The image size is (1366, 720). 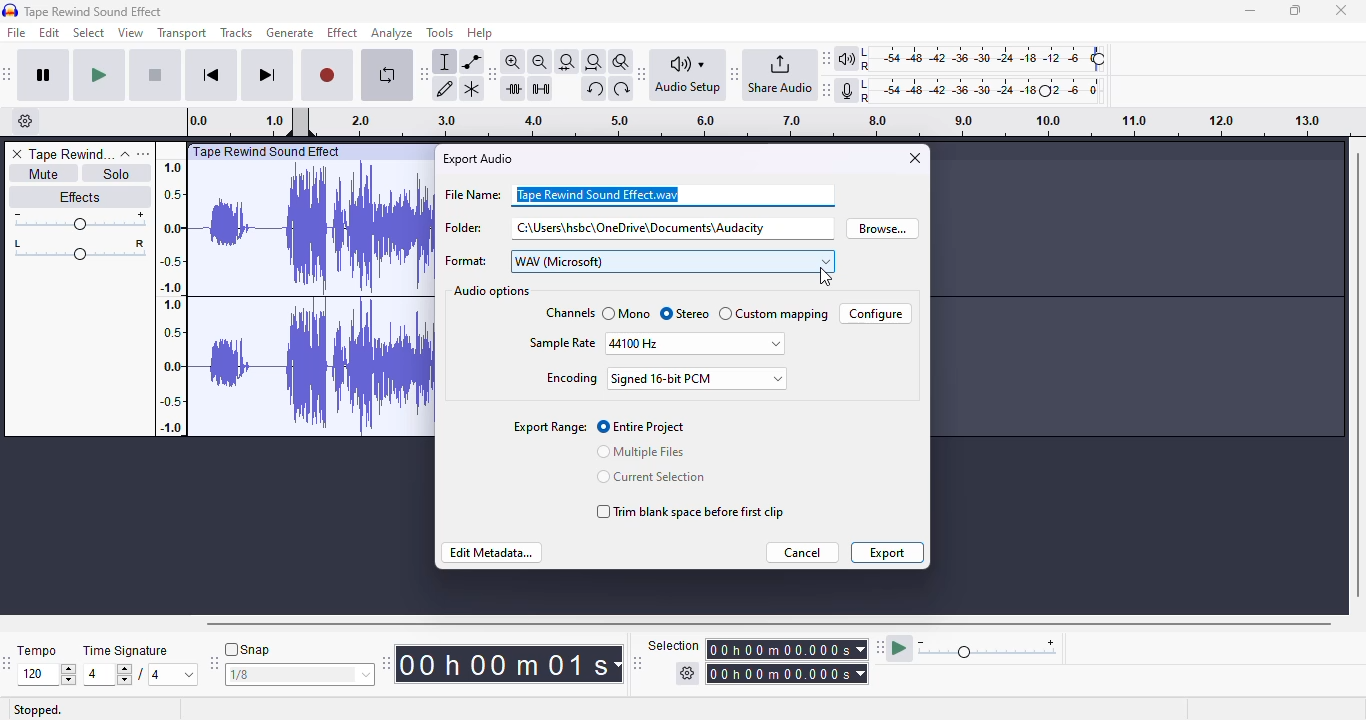 What do you see at coordinates (783, 314) in the screenshot?
I see `custom mapping` at bounding box center [783, 314].